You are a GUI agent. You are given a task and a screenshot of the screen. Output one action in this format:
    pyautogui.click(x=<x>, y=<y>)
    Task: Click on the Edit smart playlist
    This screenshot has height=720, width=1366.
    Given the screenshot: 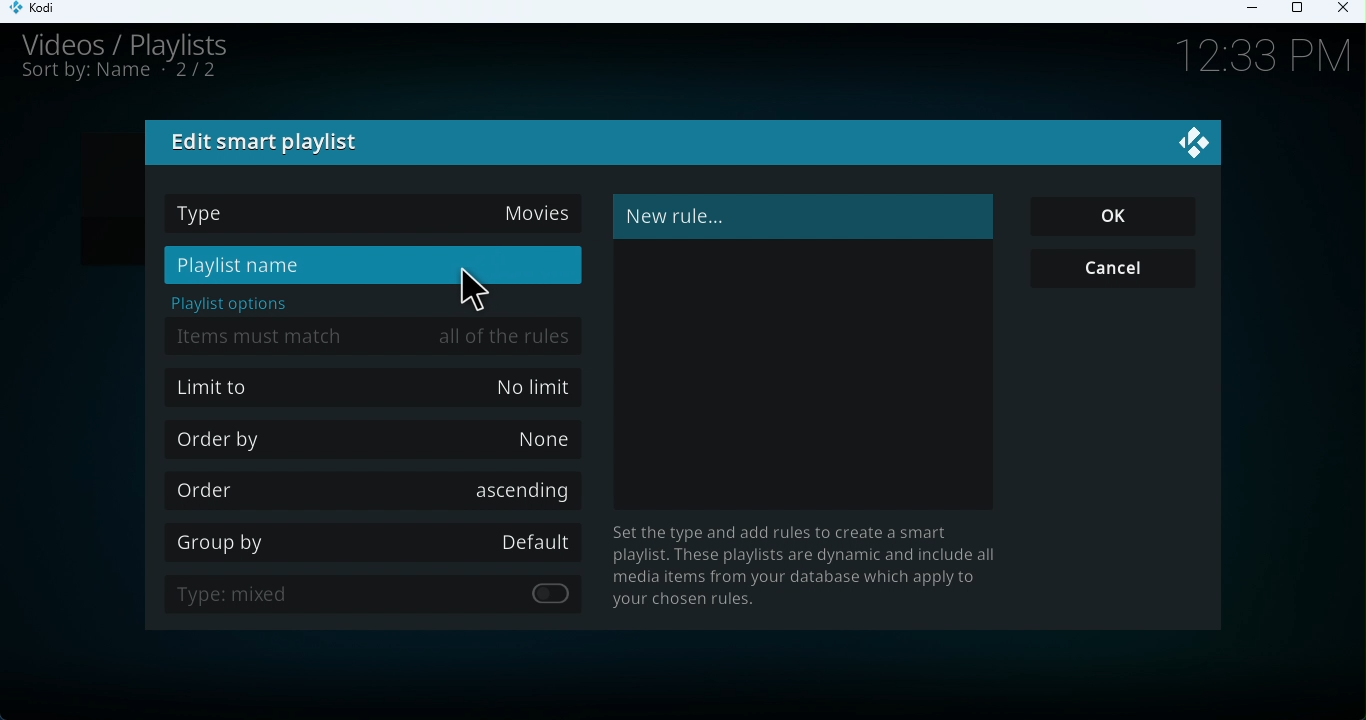 What is the action you would take?
    pyautogui.click(x=269, y=143)
    